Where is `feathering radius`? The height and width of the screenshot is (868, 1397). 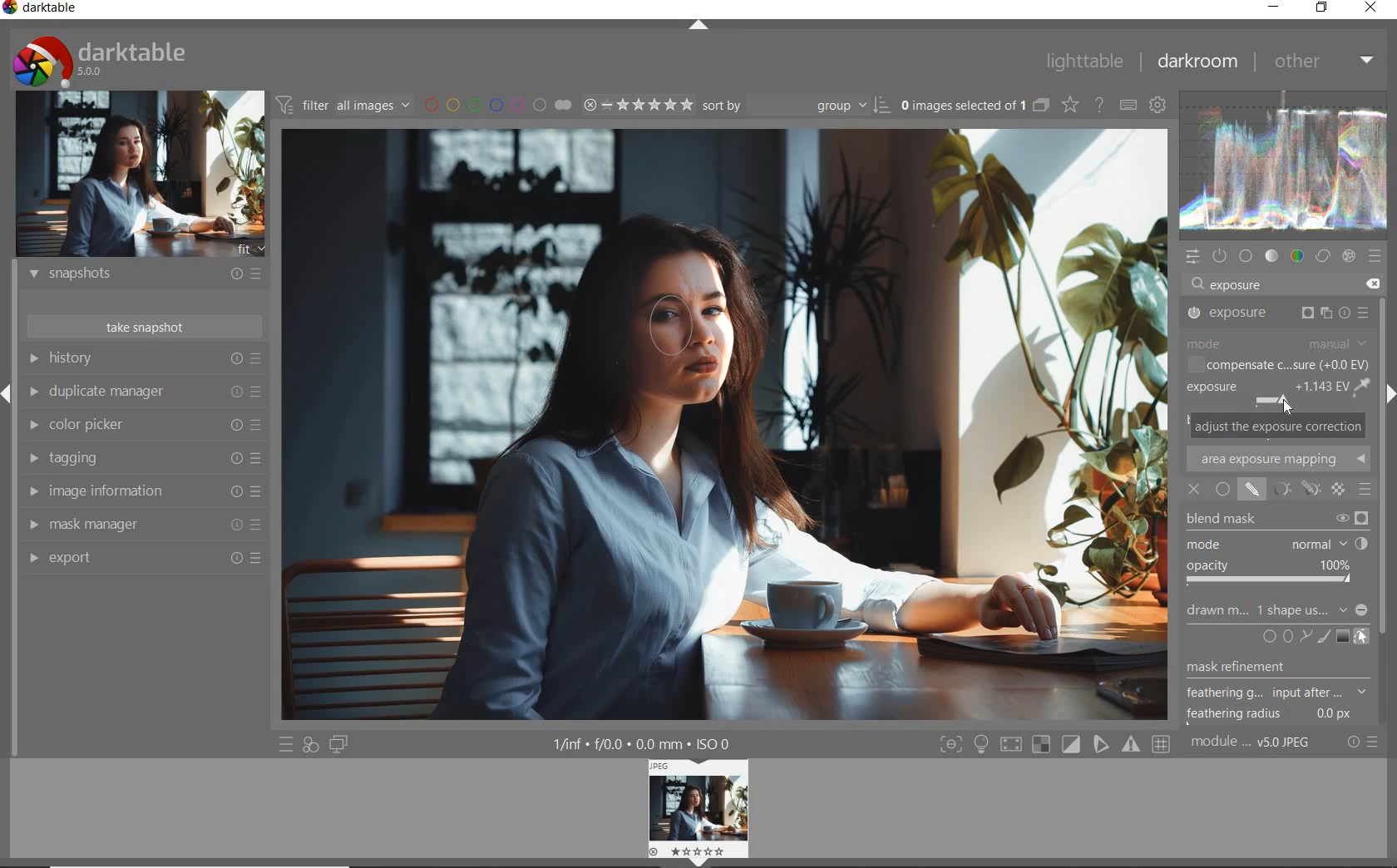 feathering radius is located at coordinates (1269, 716).